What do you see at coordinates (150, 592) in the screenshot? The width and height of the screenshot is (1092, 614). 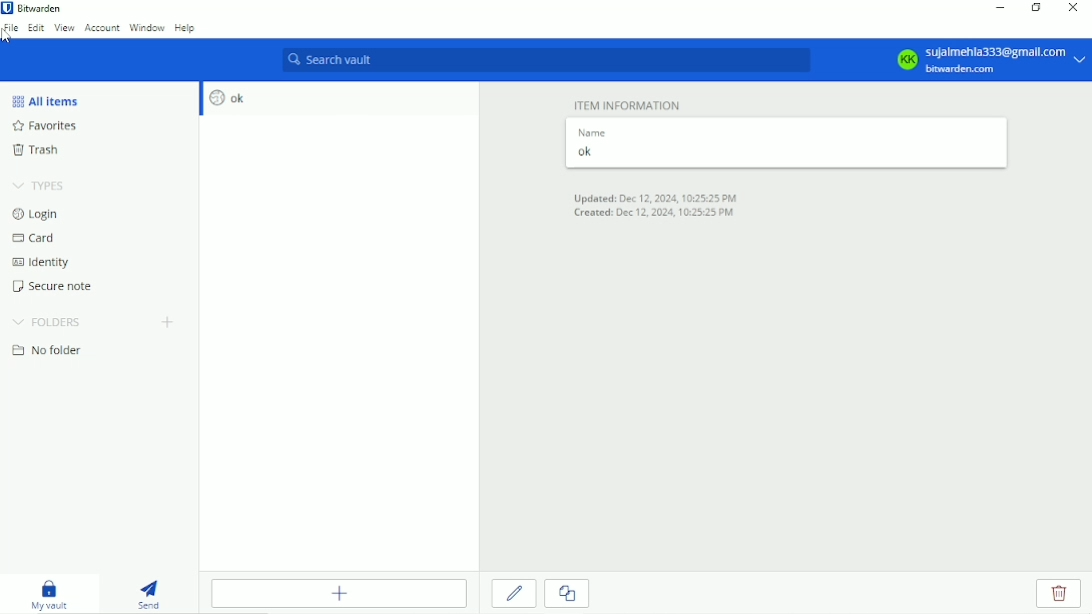 I see `Send` at bounding box center [150, 592].